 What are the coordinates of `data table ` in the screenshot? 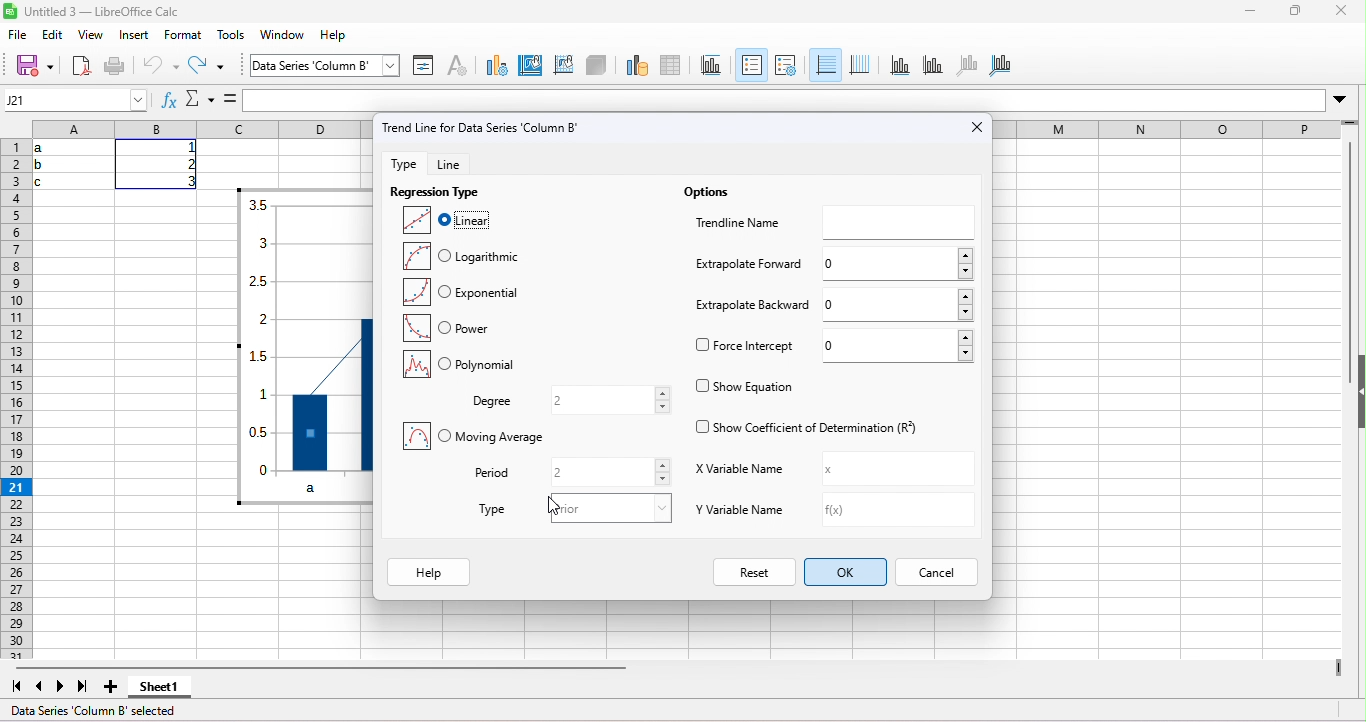 It's located at (677, 63).